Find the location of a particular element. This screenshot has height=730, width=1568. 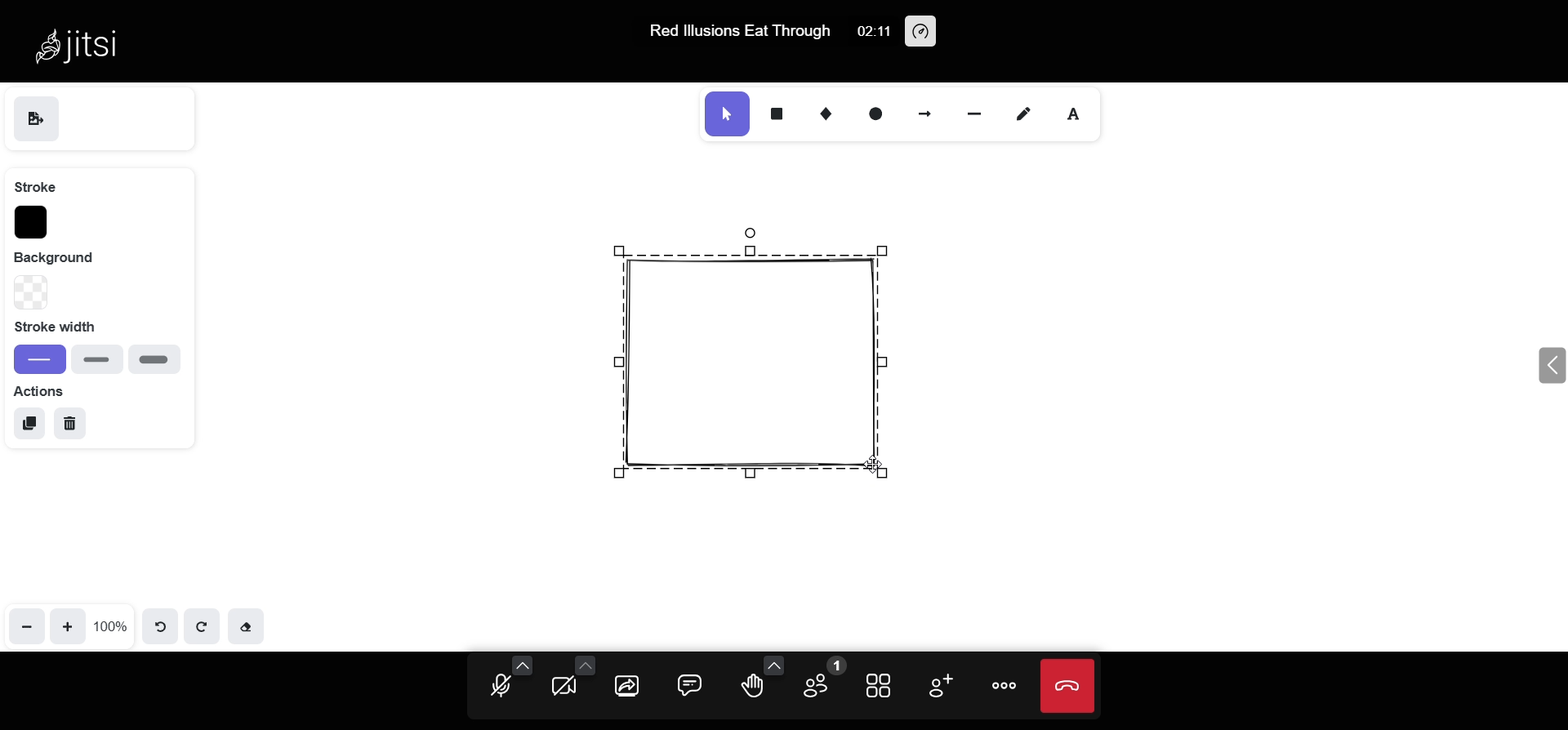

more camera options is located at coordinates (584, 664).